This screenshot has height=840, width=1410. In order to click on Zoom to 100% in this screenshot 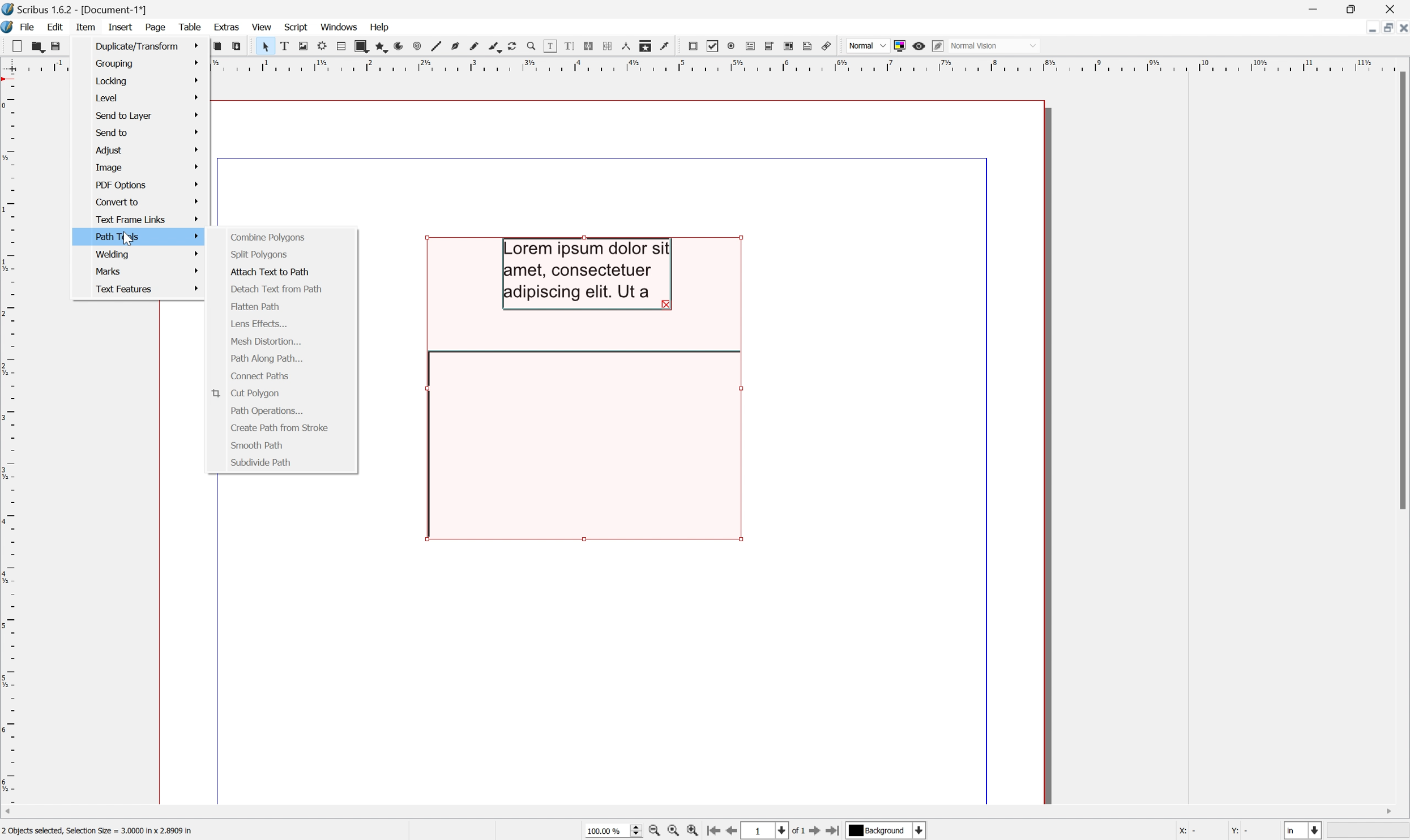, I will do `click(676, 832)`.